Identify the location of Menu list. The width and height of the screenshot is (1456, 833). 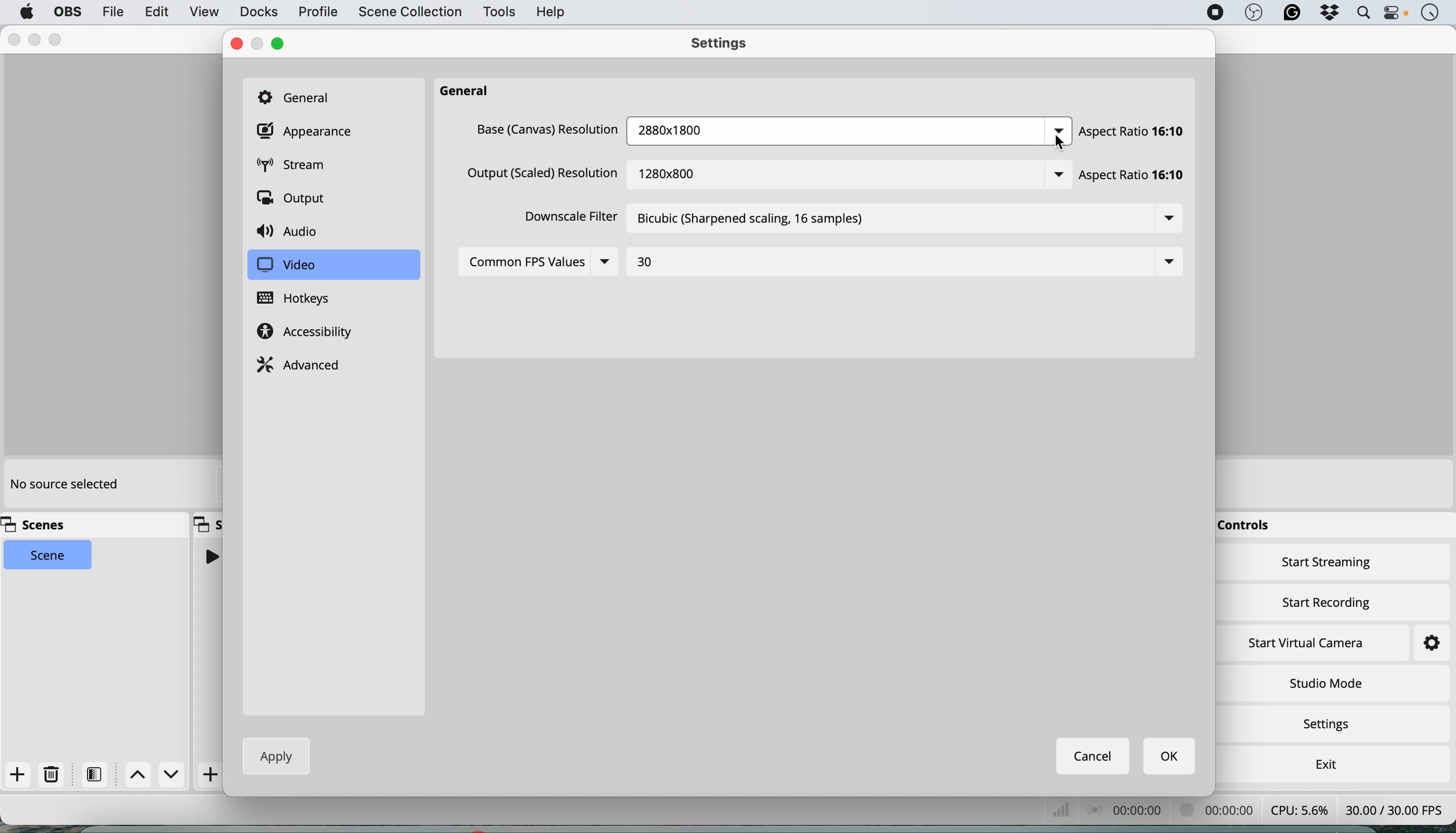
(1164, 218).